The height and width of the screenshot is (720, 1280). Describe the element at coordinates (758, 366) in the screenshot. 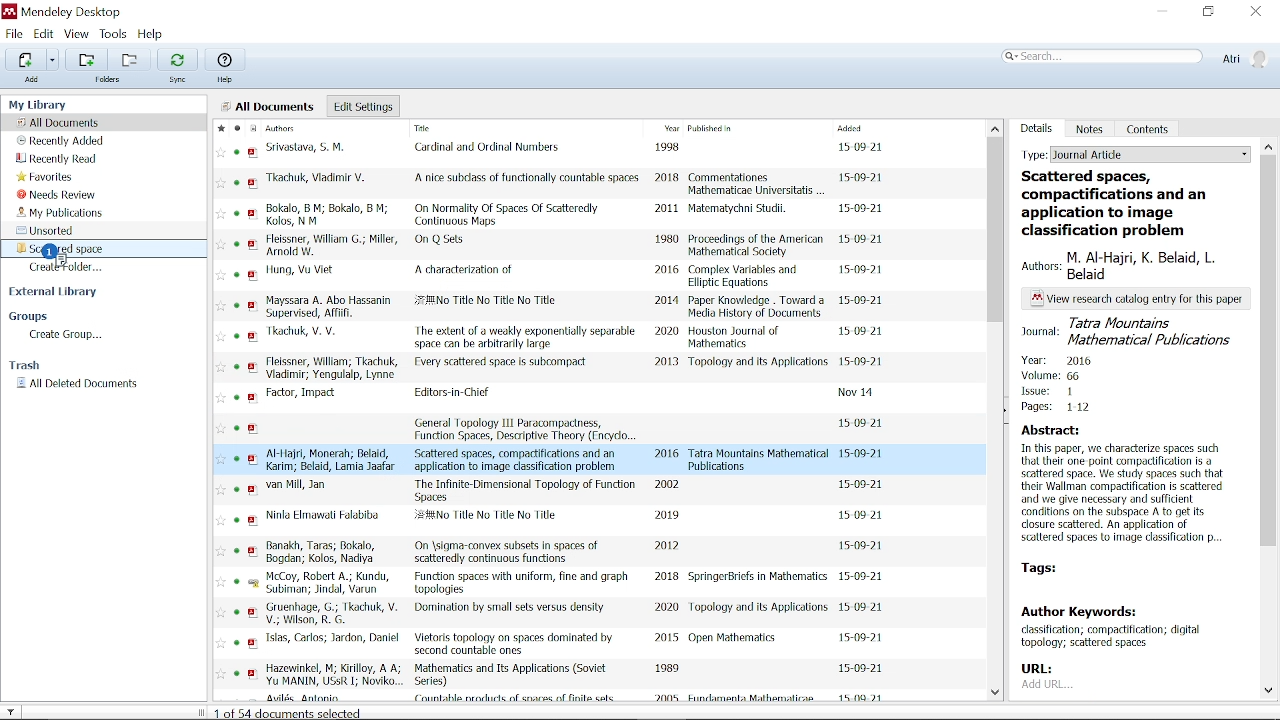

I see `Topology and its Applications` at that location.